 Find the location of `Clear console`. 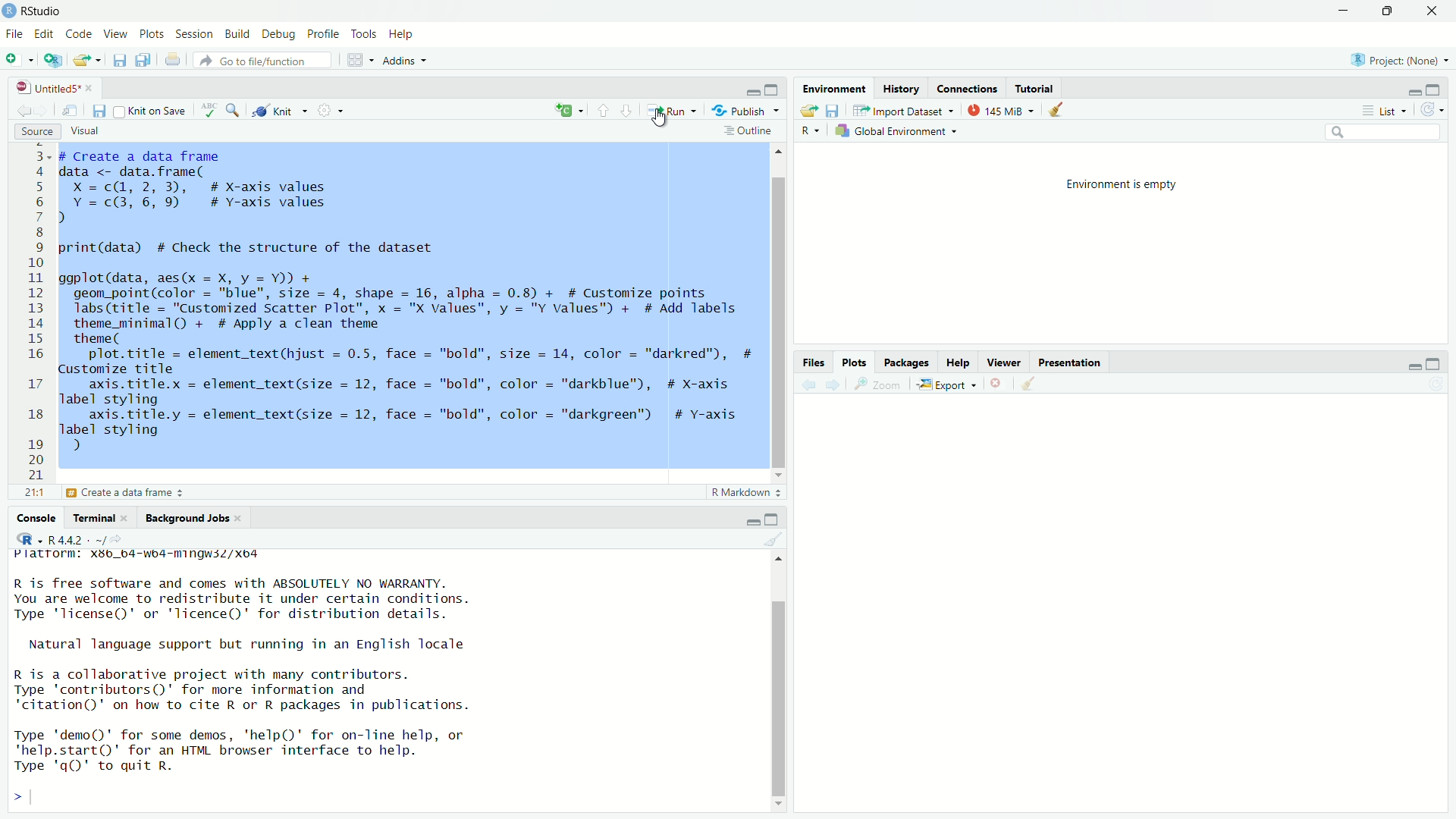

Clear console is located at coordinates (1059, 111).